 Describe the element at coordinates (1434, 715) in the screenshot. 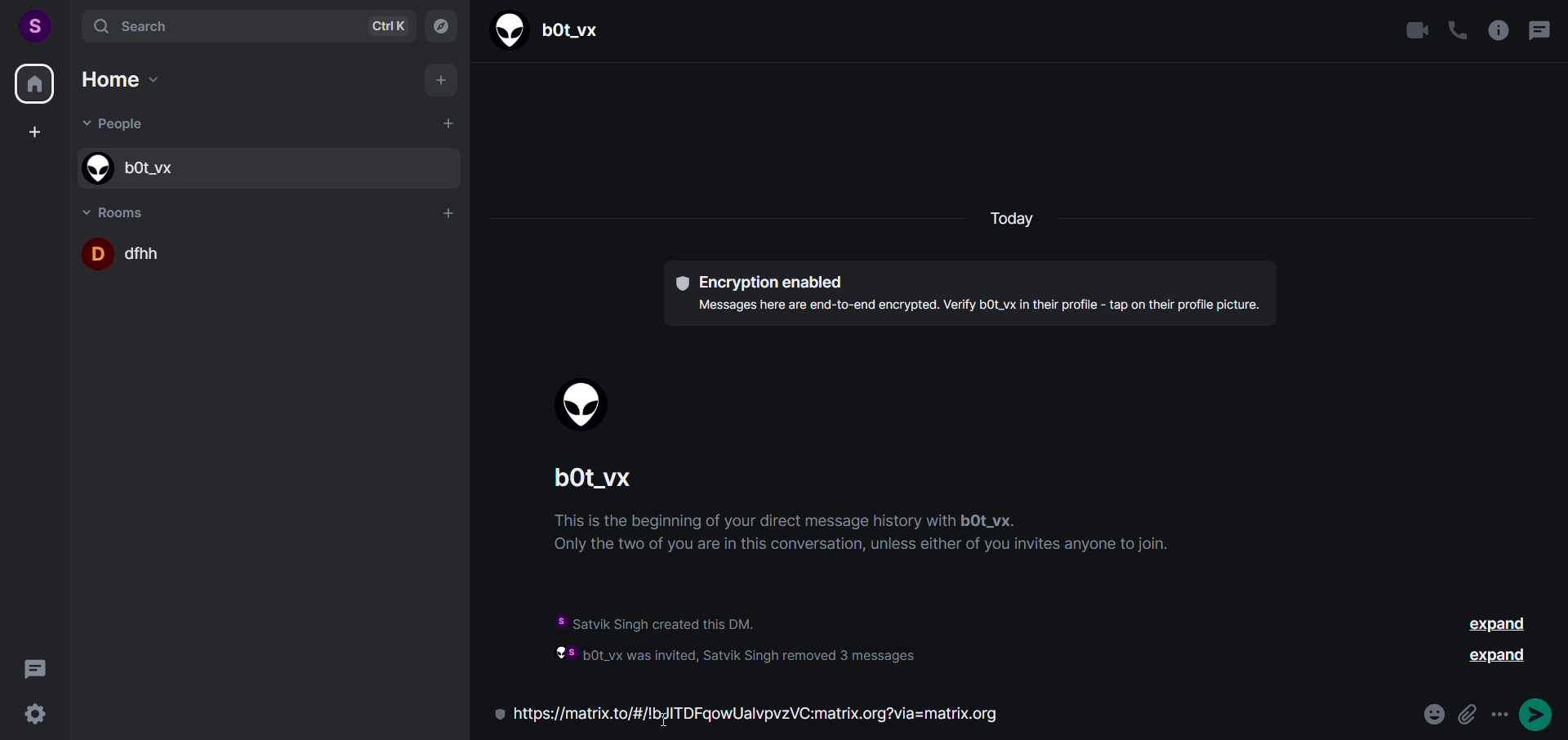

I see `emoji` at that location.